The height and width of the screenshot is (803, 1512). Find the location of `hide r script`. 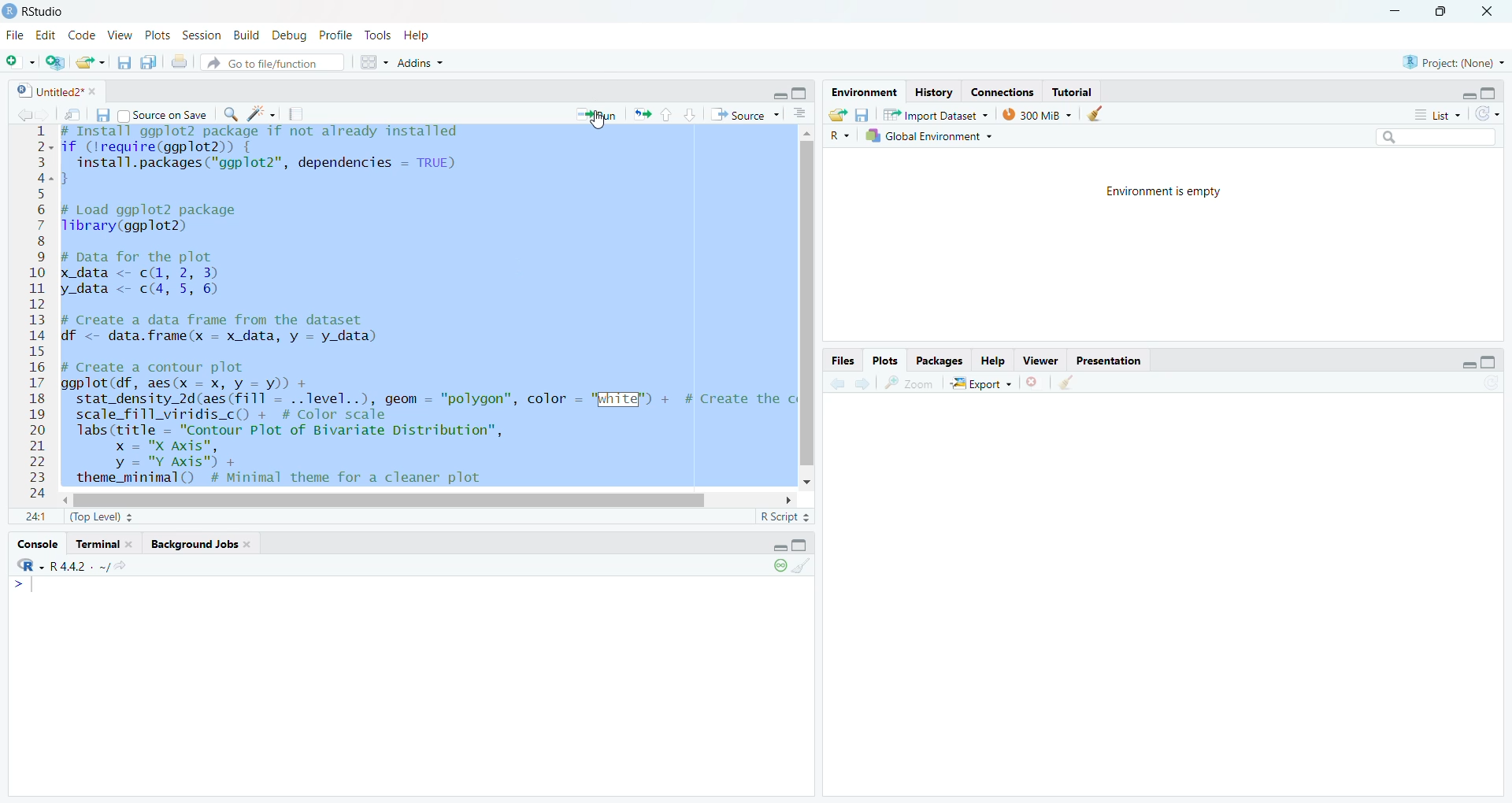

hide r script is located at coordinates (778, 94).